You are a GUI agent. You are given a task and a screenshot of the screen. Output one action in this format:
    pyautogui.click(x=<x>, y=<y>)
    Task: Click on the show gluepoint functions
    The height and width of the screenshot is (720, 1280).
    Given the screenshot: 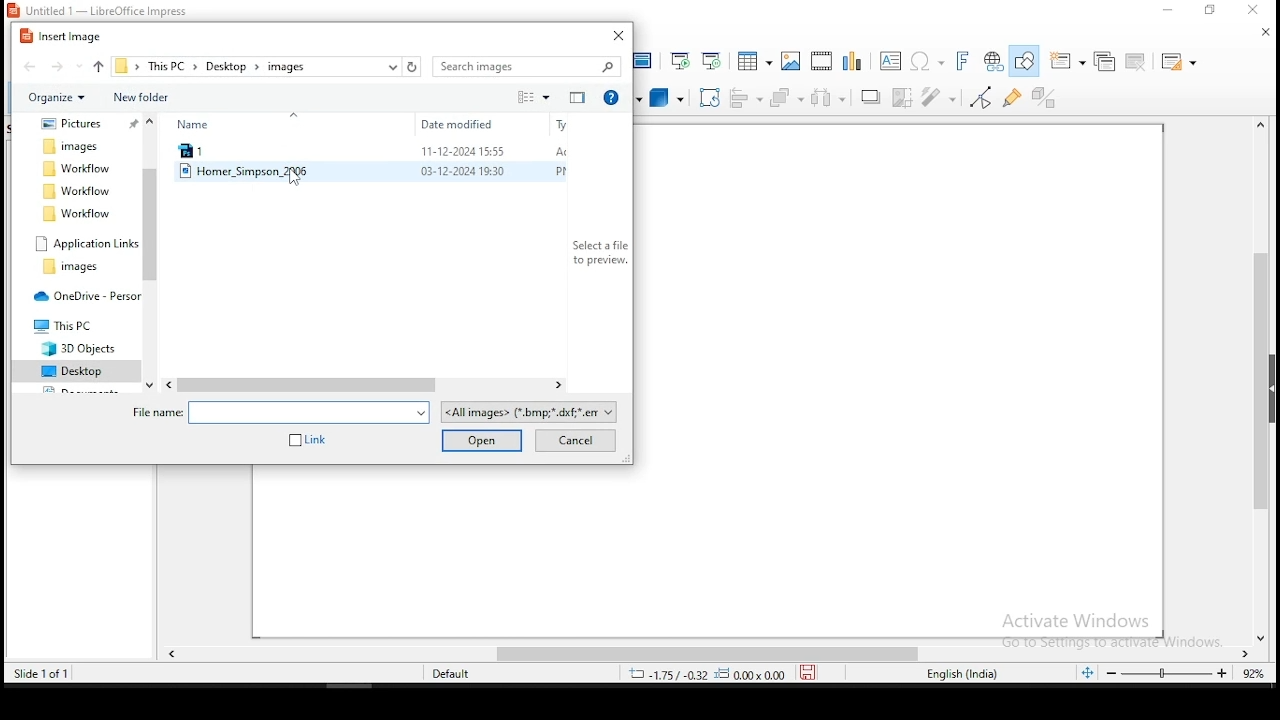 What is the action you would take?
    pyautogui.click(x=1015, y=96)
    